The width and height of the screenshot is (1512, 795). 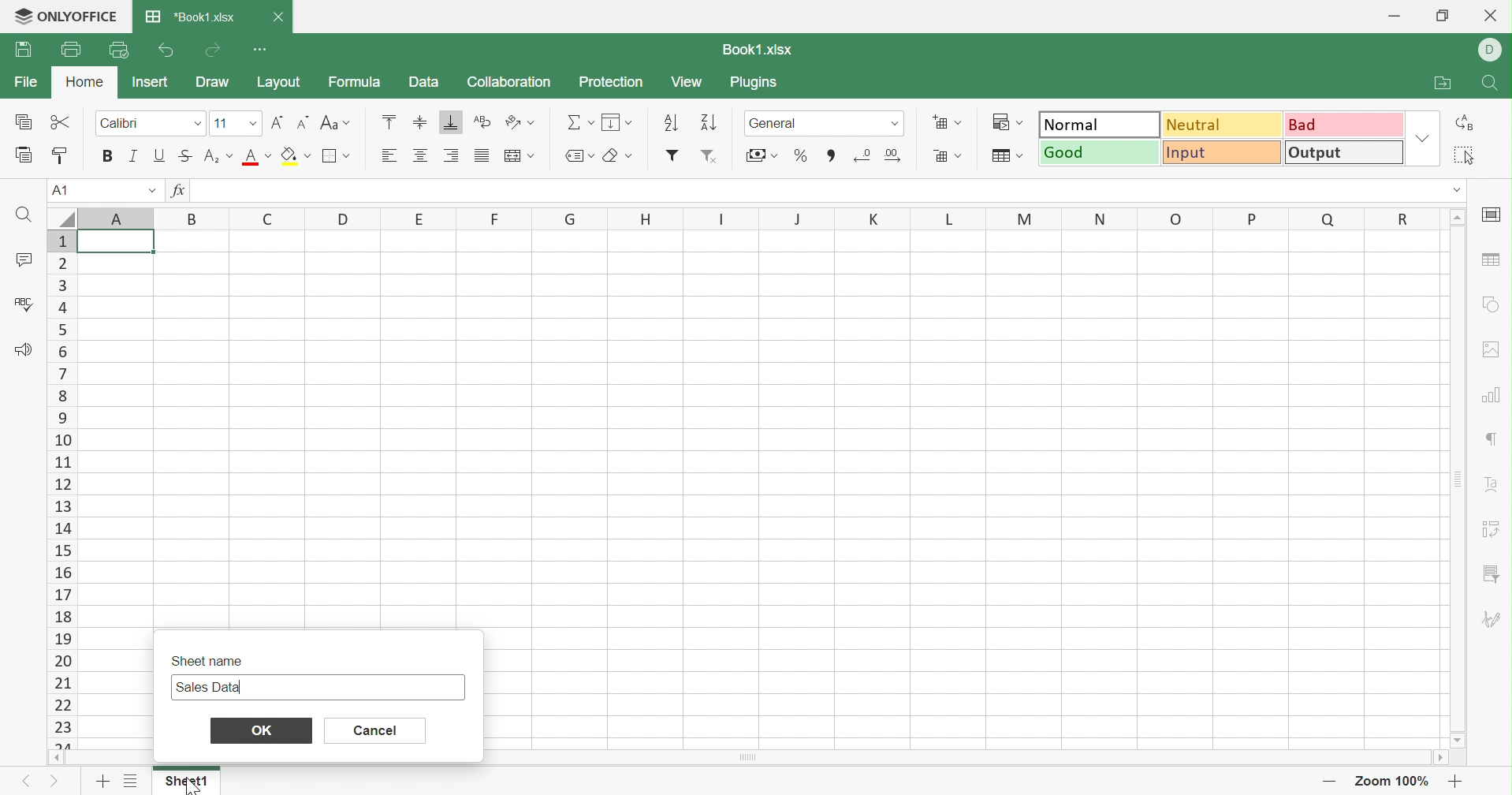 I want to click on Text Art settings, so click(x=1493, y=482).